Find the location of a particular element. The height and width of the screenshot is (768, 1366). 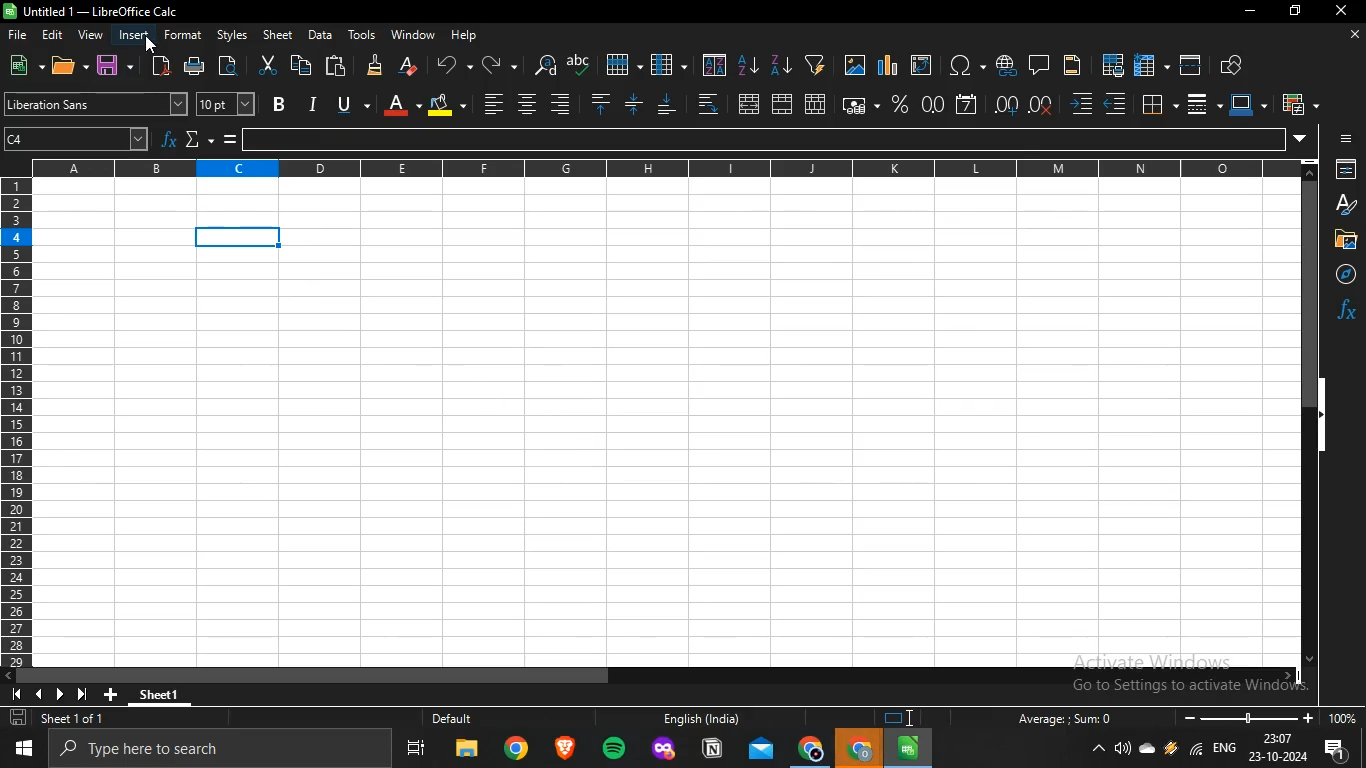

merge and center or unmerge is located at coordinates (749, 103).